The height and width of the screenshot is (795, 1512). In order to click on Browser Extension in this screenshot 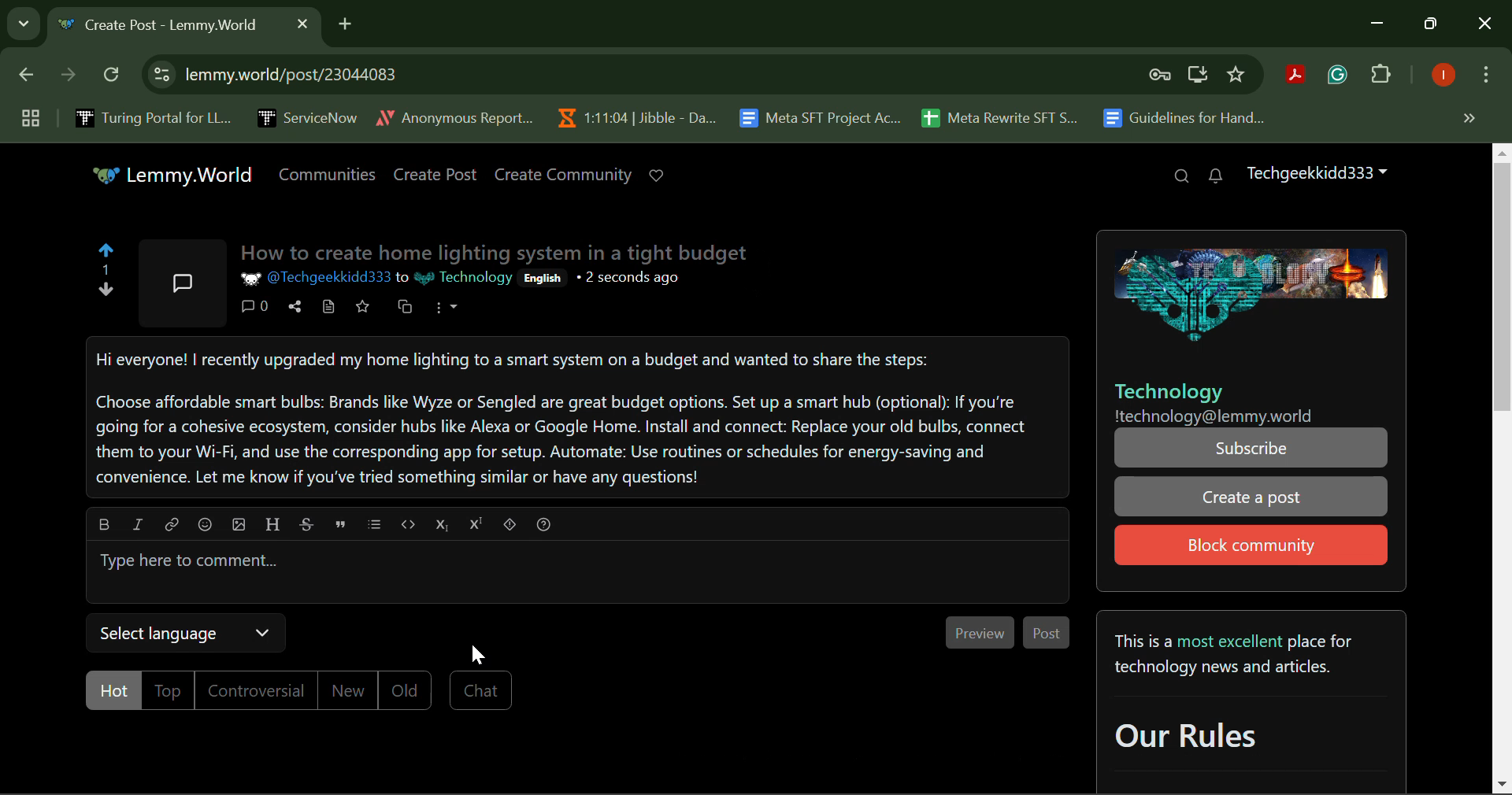, I will do `click(1299, 76)`.